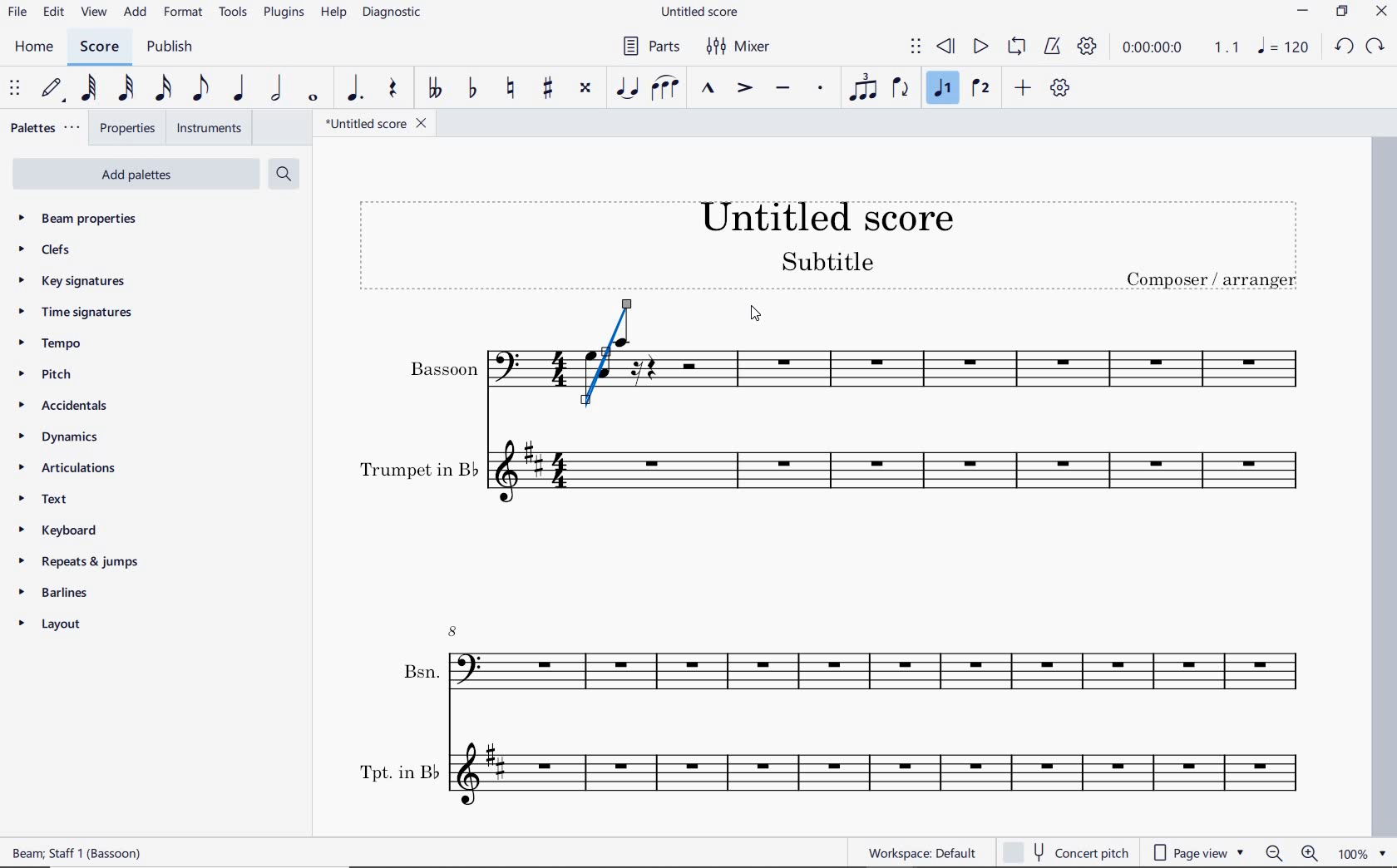 The width and height of the screenshot is (1397, 868). What do you see at coordinates (996, 362) in the screenshot?
I see `Bassoon` at bounding box center [996, 362].